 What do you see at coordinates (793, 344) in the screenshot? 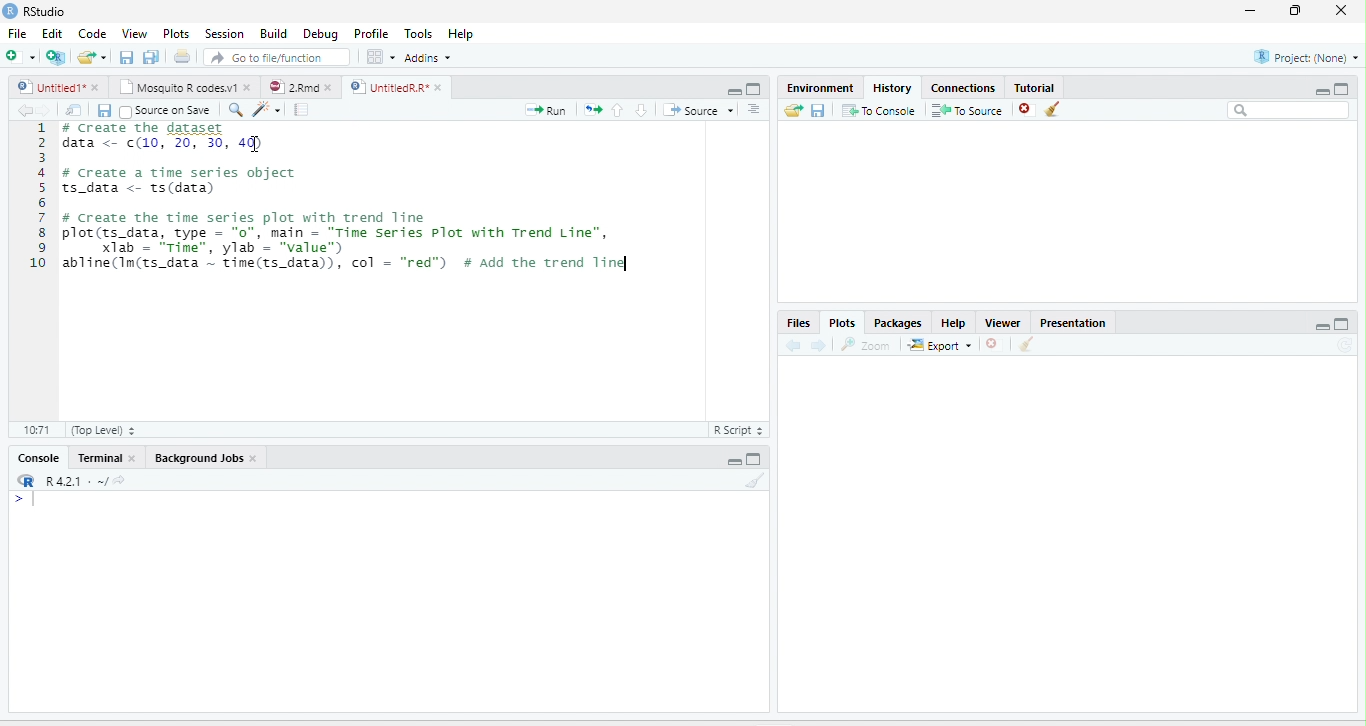
I see `Previous plot` at bounding box center [793, 344].